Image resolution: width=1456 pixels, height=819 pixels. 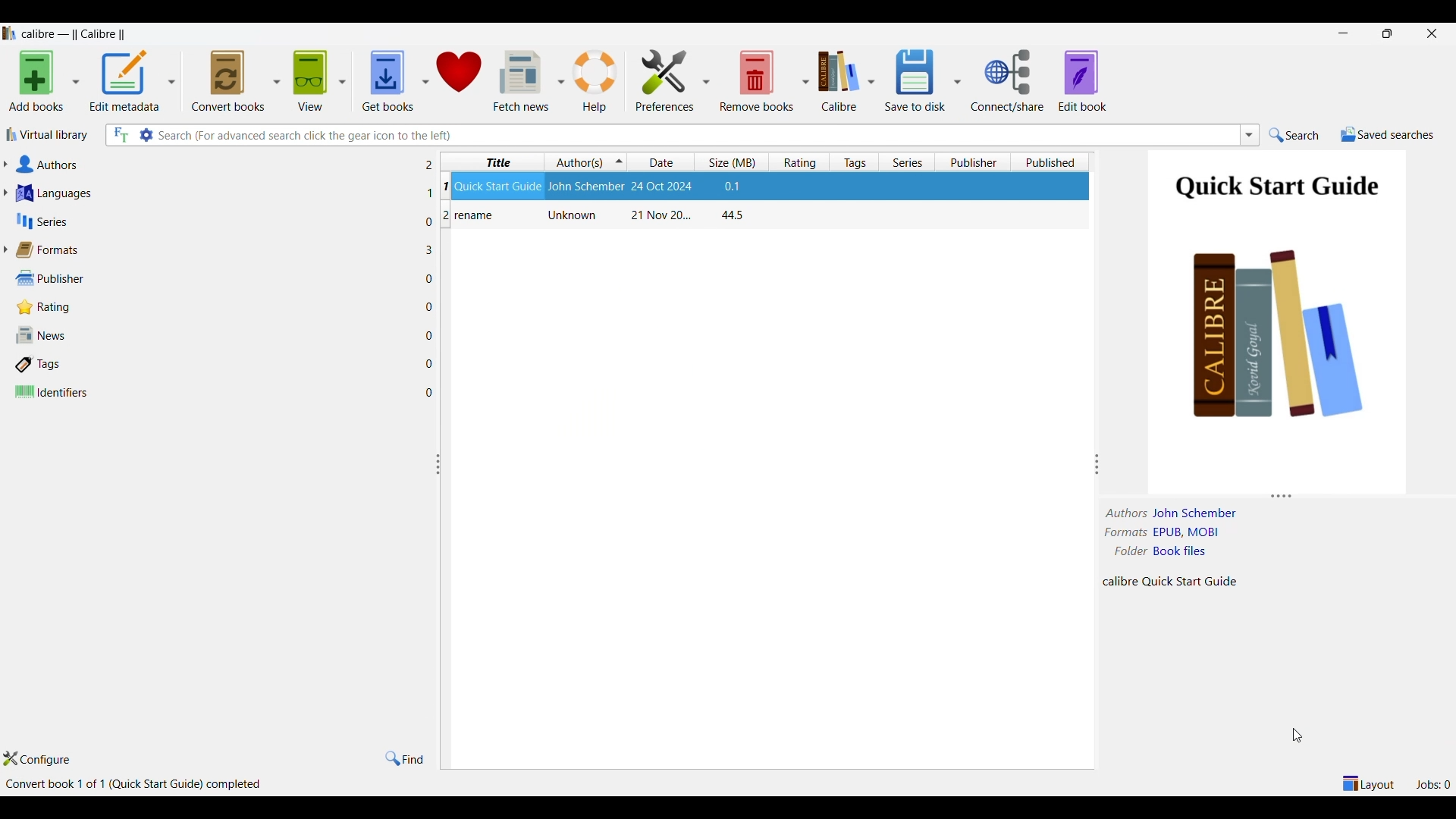 What do you see at coordinates (1367, 783) in the screenshot?
I see `Show/Hide parts of layout` at bounding box center [1367, 783].